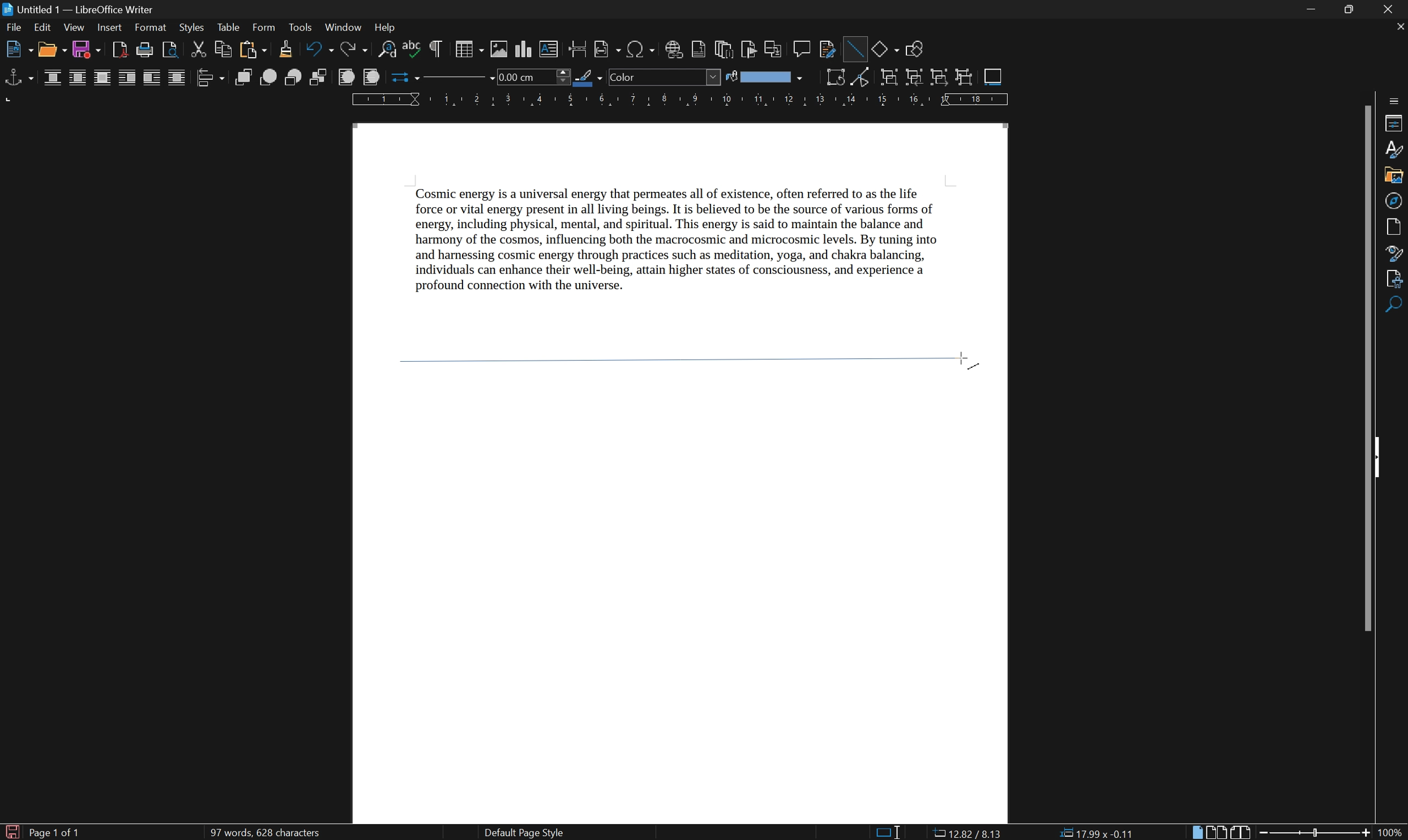 This screenshot has height=840, width=1408. Describe the element at coordinates (168, 49) in the screenshot. I see `toggle print preview` at that location.